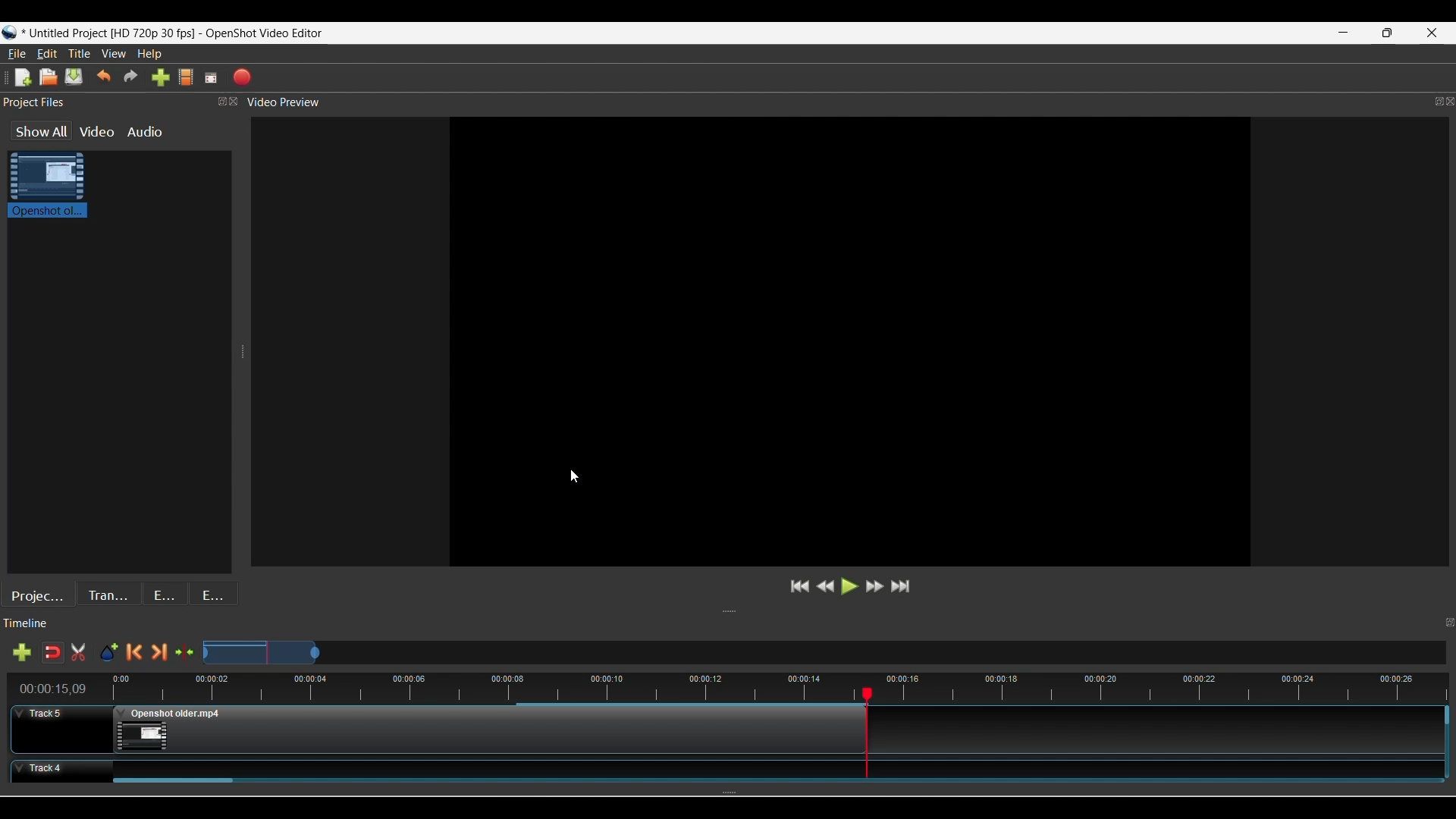 The image size is (1456, 819). Describe the element at coordinates (130, 77) in the screenshot. I see `Redo` at that location.